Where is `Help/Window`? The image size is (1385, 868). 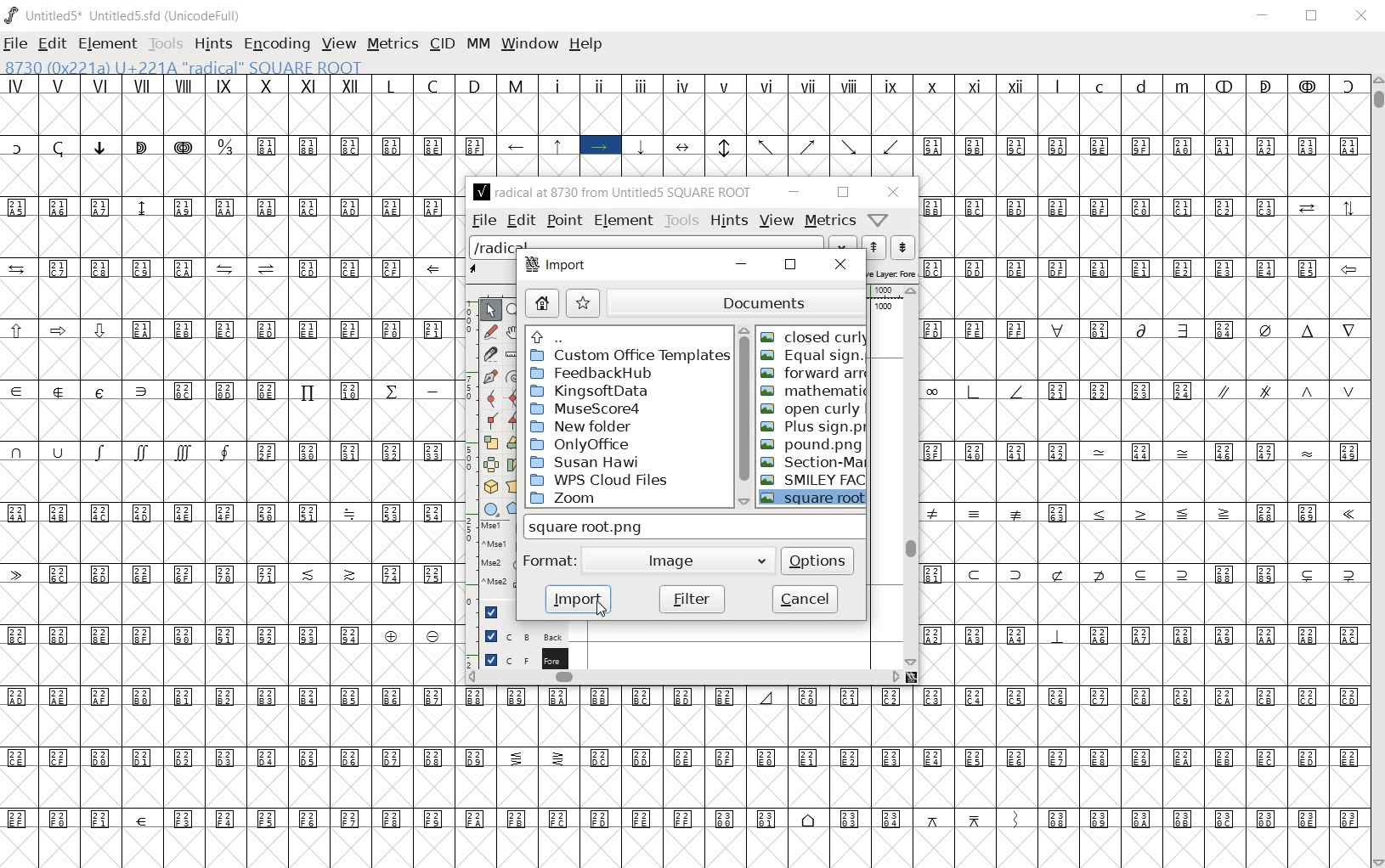 Help/Window is located at coordinates (879, 222).